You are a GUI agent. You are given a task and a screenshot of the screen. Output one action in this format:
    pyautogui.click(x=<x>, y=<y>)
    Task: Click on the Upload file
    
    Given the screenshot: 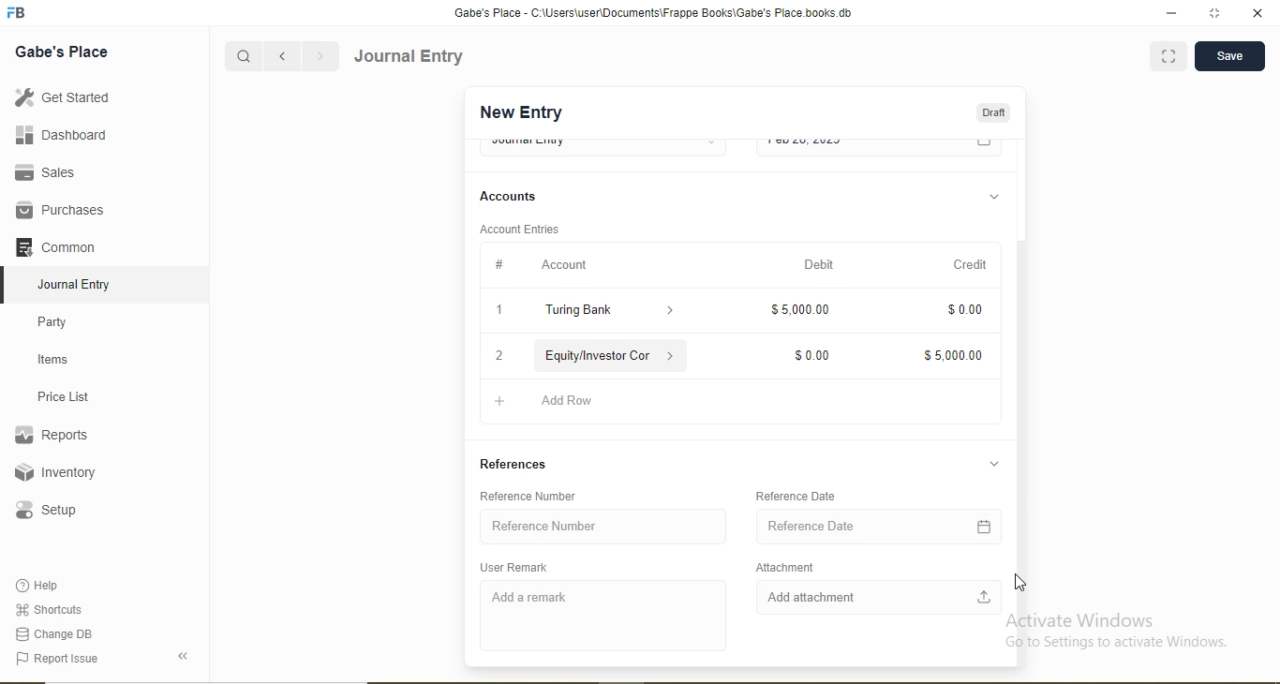 What is the action you would take?
    pyautogui.click(x=985, y=596)
    